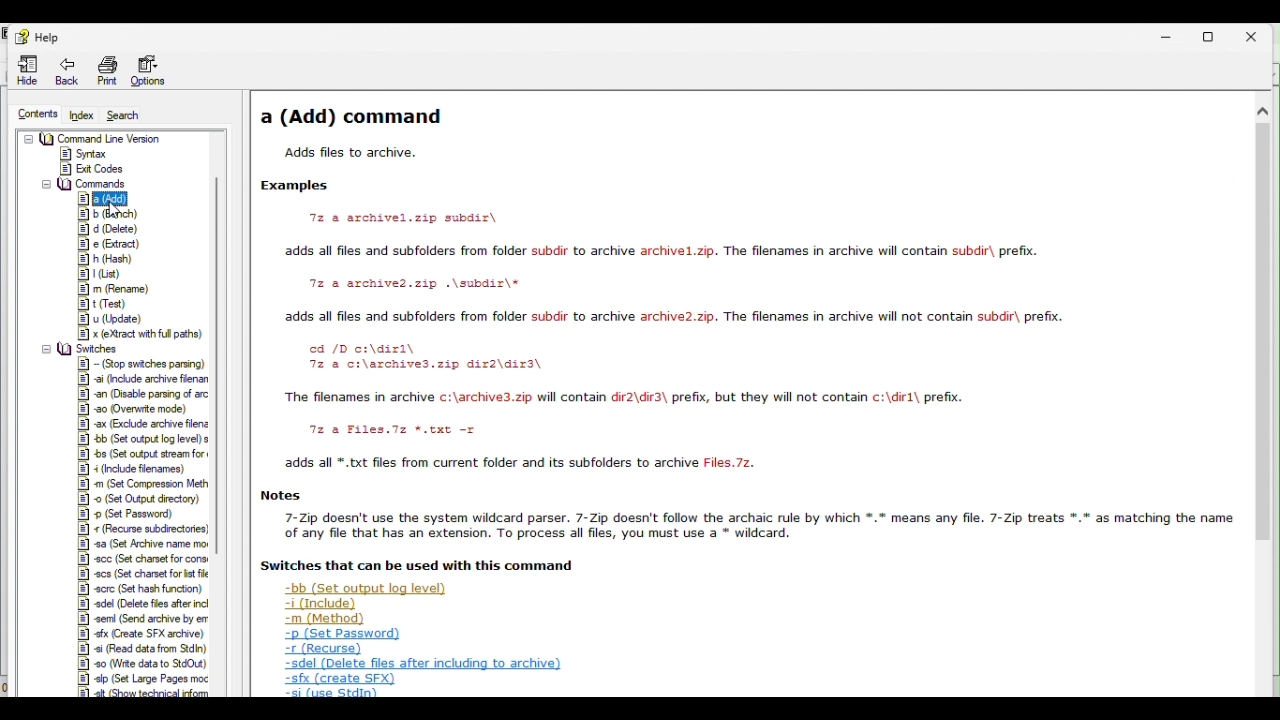  Describe the element at coordinates (455, 219) in the screenshot. I see `text` at that location.